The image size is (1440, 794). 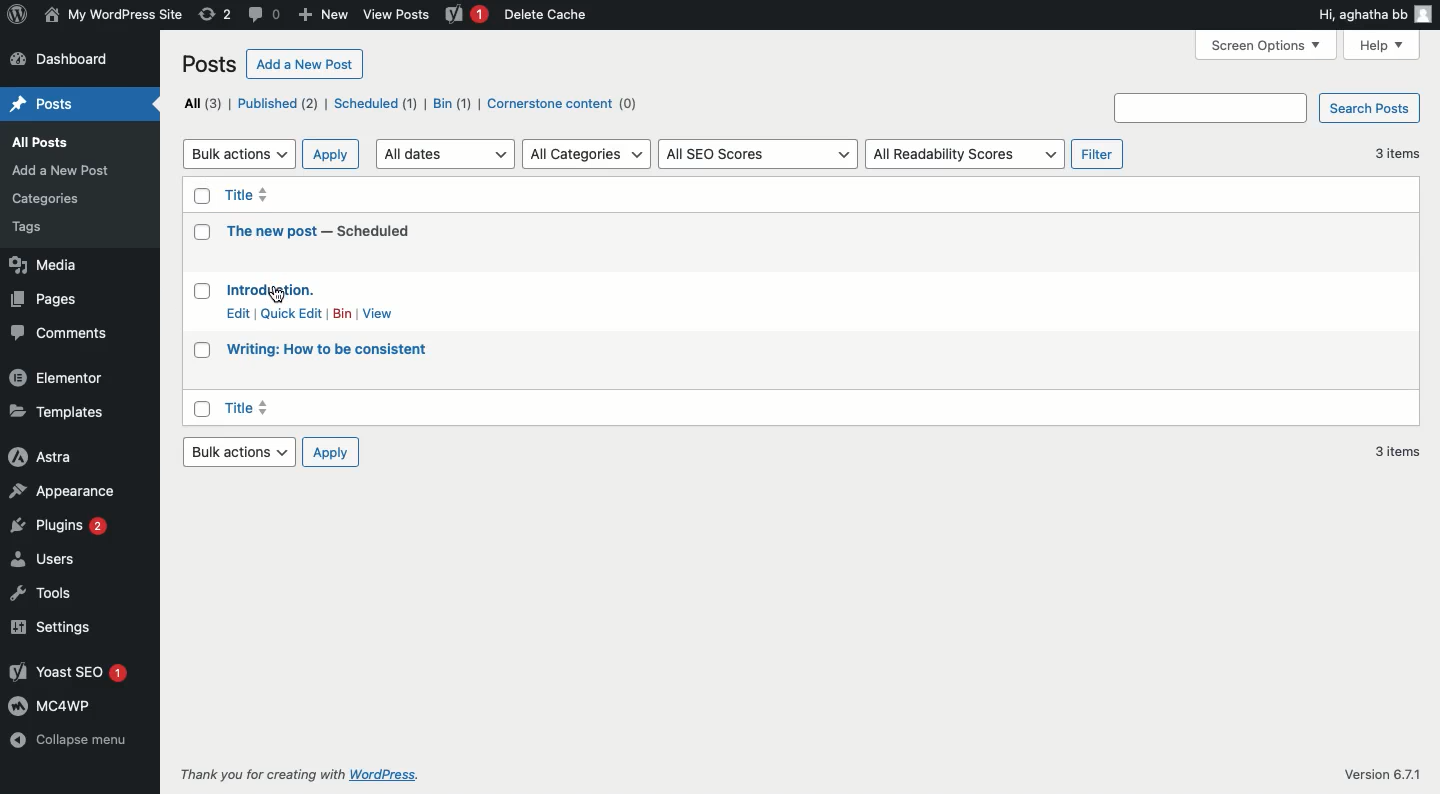 What do you see at coordinates (1100, 155) in the screenshot?
I see `Filter` at bounding box center [1100, 155].